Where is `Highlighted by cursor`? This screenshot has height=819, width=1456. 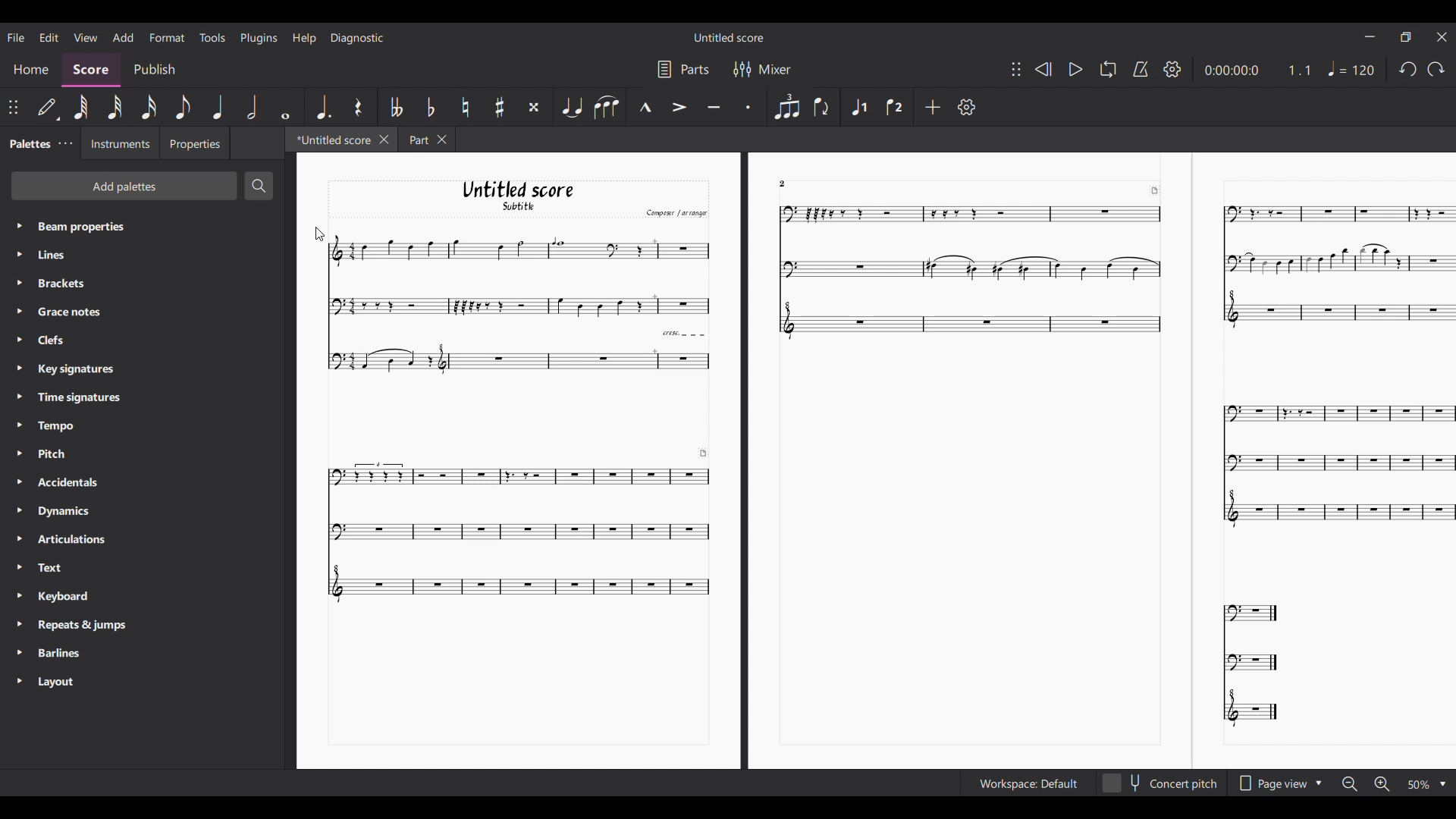
Highlighted by cursor is located at coordinates (17, 283).